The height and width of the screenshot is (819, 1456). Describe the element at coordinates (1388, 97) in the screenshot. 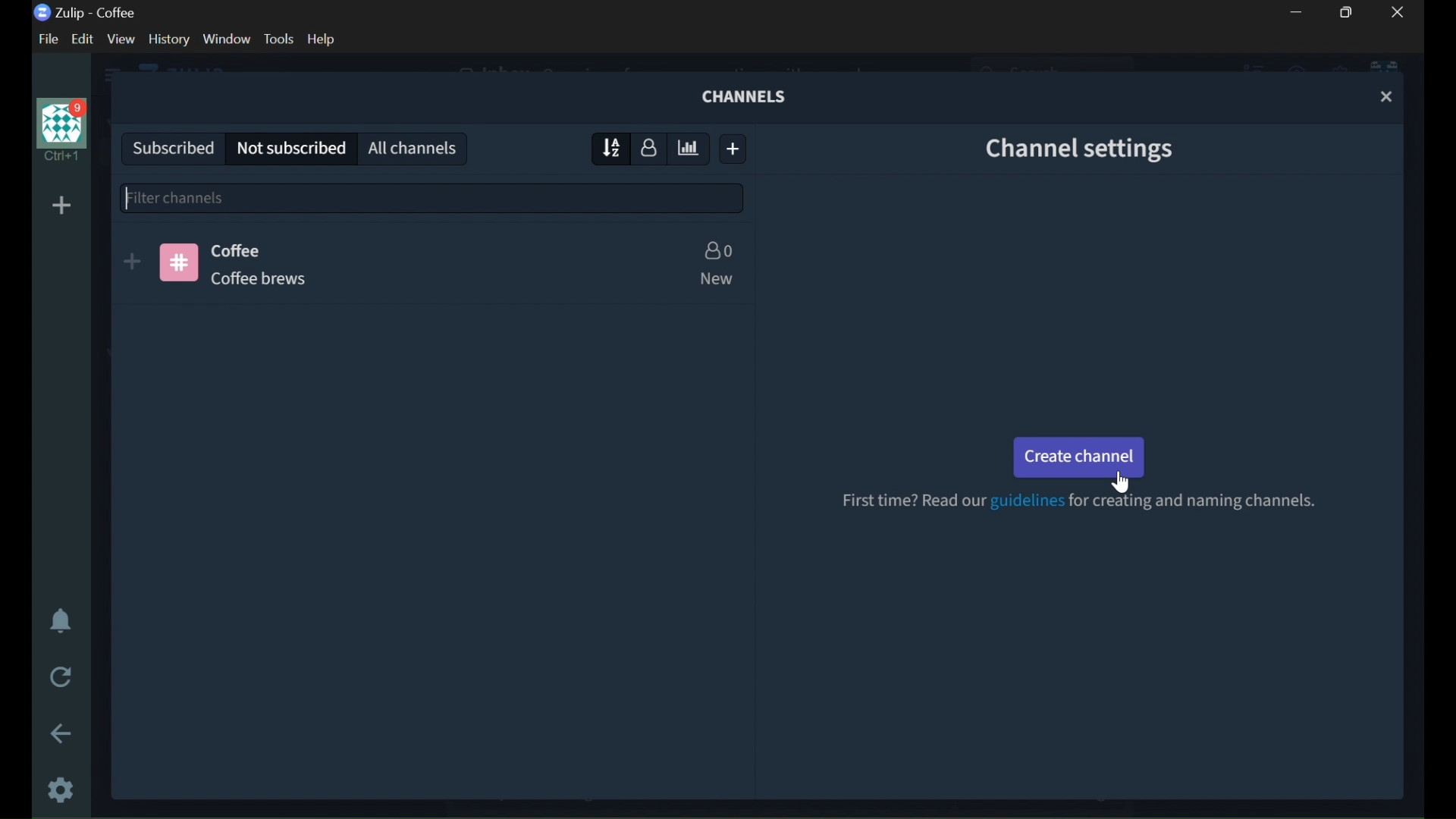

I see `CLOSE` at that location.